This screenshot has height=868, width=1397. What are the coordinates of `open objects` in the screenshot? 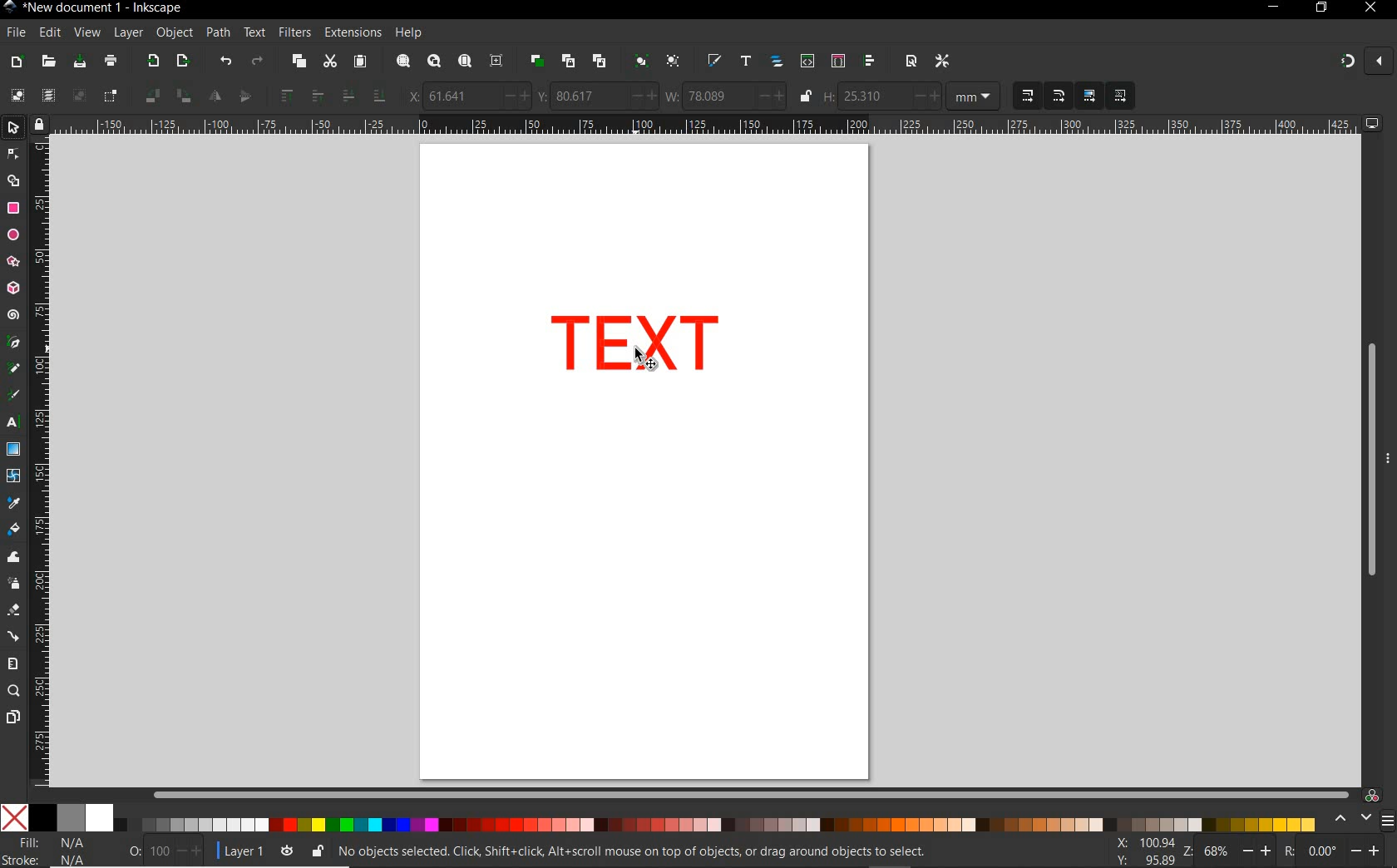 It's located at (777, 63).